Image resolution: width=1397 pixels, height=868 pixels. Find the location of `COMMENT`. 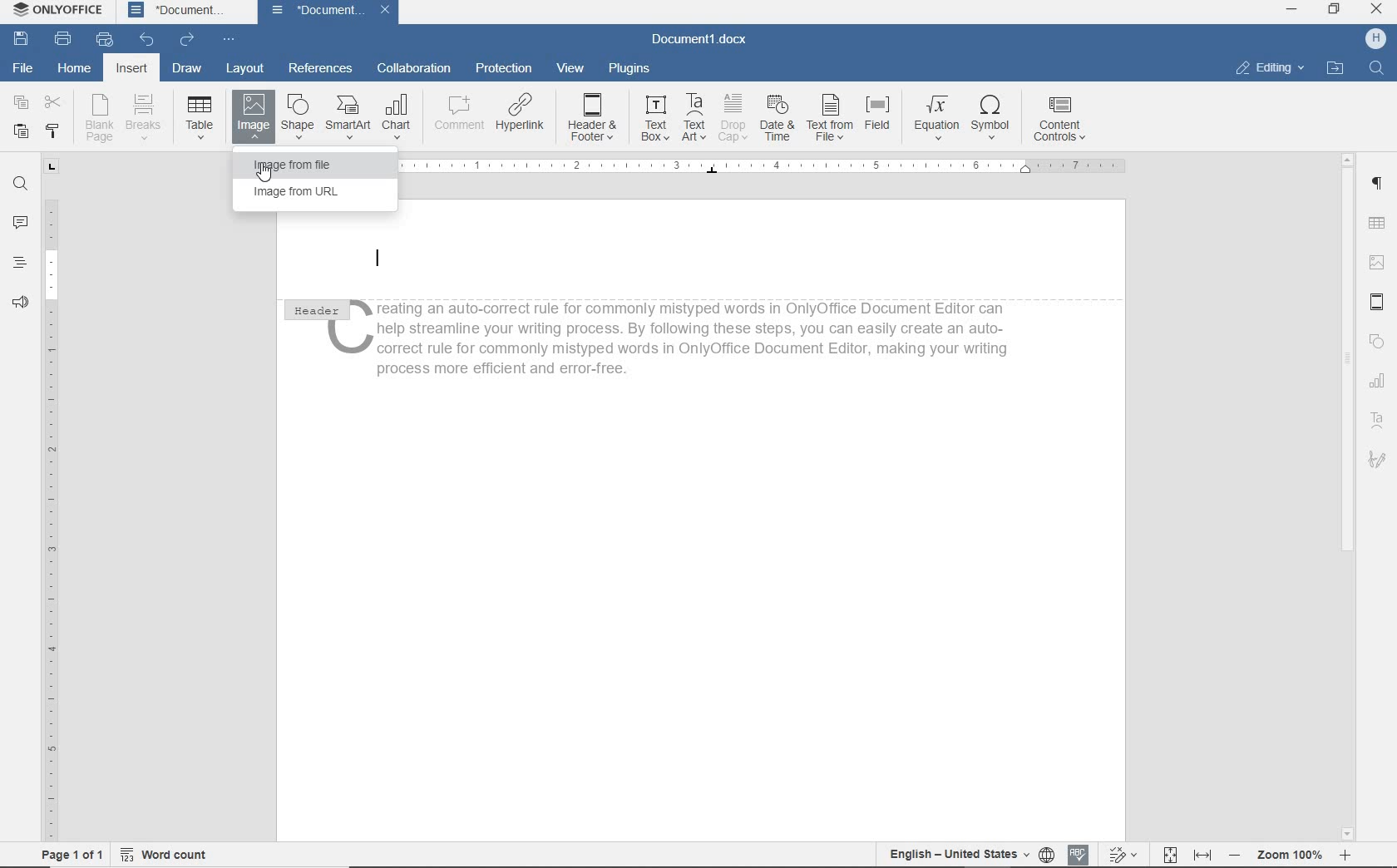

COMMENT is located at coordinates (458, 118).